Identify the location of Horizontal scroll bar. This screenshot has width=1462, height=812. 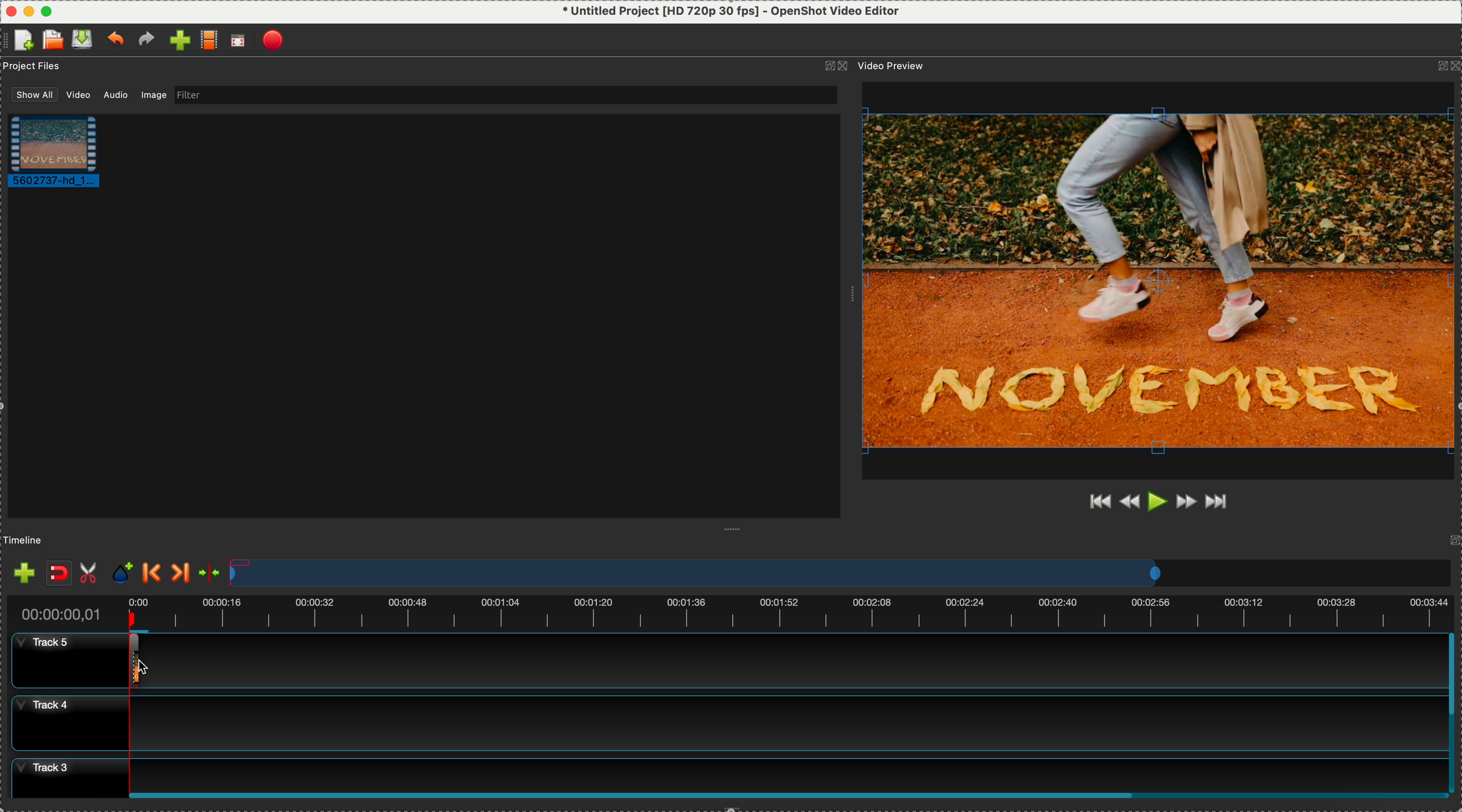
(788, 796).